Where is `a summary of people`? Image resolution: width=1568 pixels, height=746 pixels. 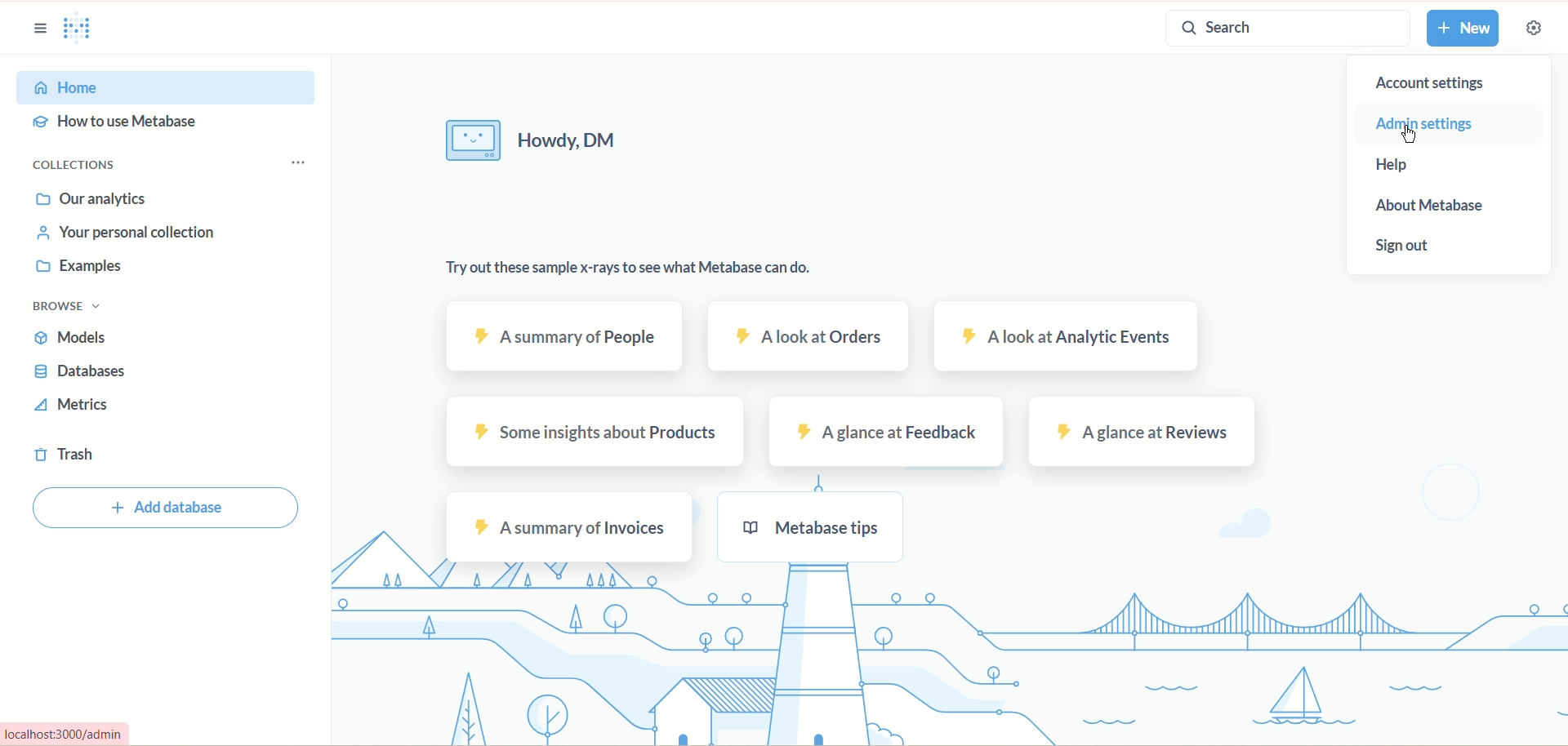 a summary of people is located at coordinates (567, 335).